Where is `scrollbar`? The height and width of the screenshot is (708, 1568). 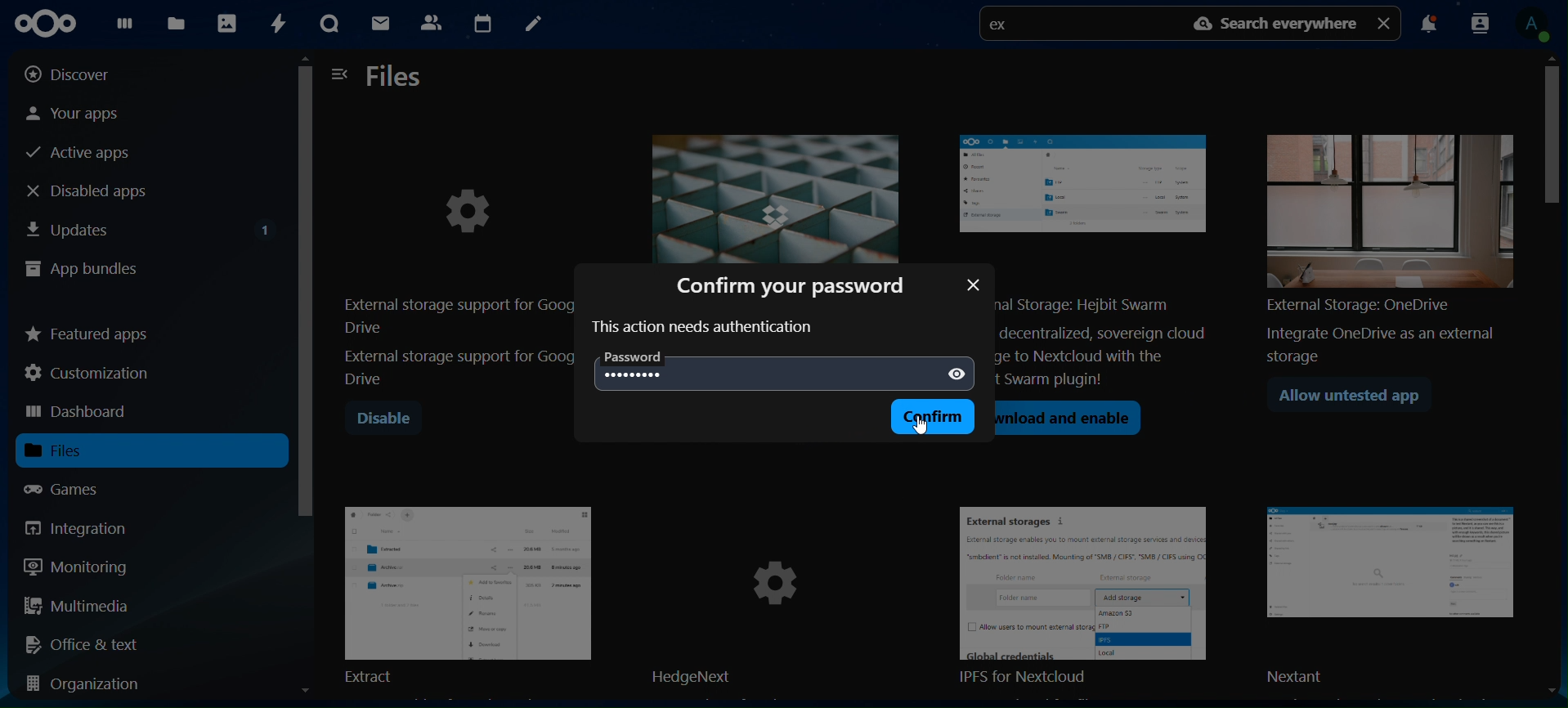
scrollbar is located at coordinates (307, 379).